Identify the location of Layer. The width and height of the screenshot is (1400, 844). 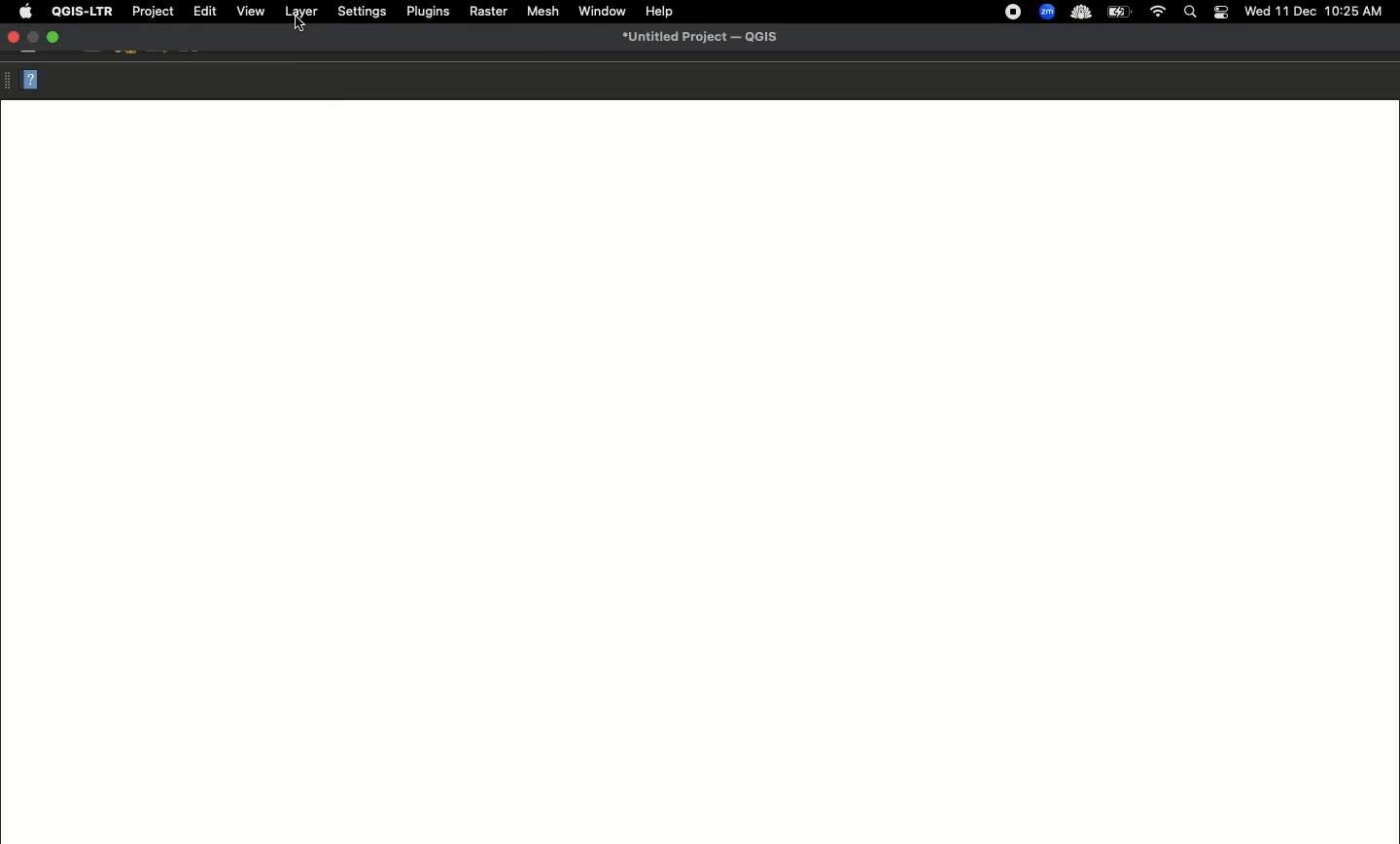
(301, 12).